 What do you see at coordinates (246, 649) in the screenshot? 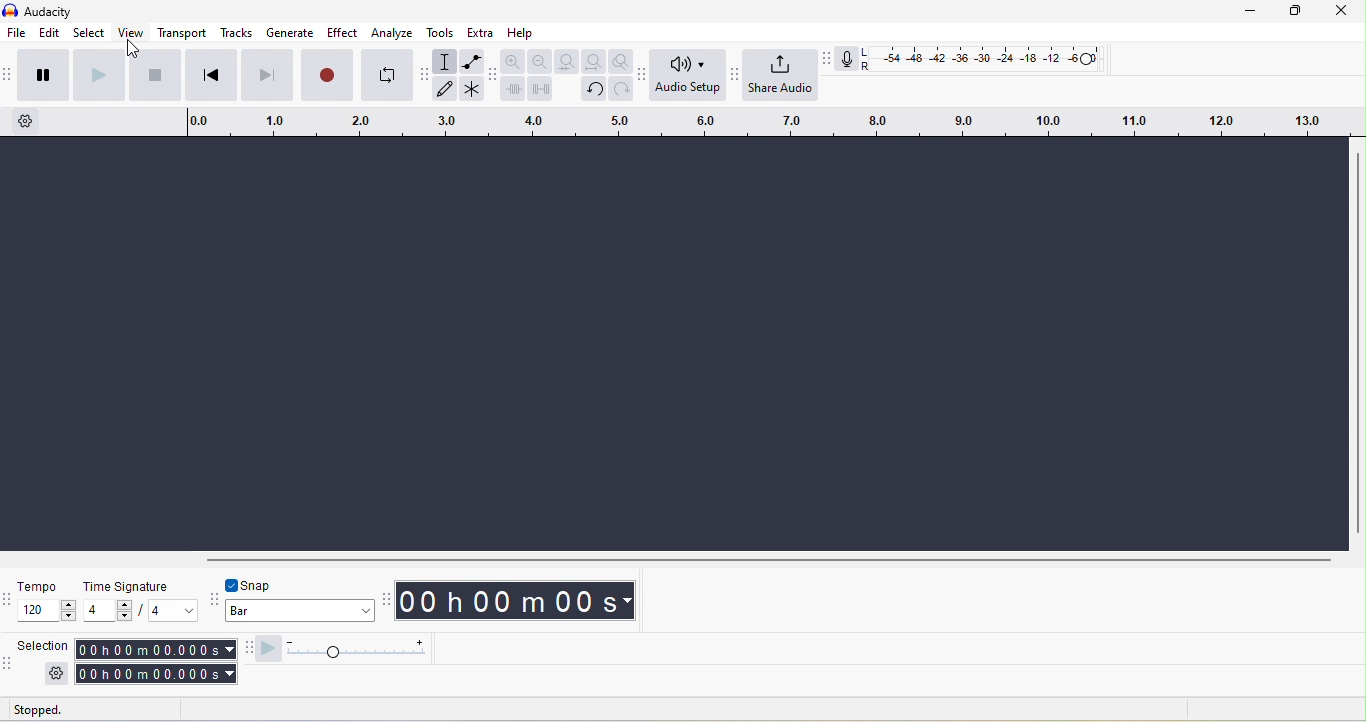
I see `play at speed toolbar` at bounding box center [246, 649].